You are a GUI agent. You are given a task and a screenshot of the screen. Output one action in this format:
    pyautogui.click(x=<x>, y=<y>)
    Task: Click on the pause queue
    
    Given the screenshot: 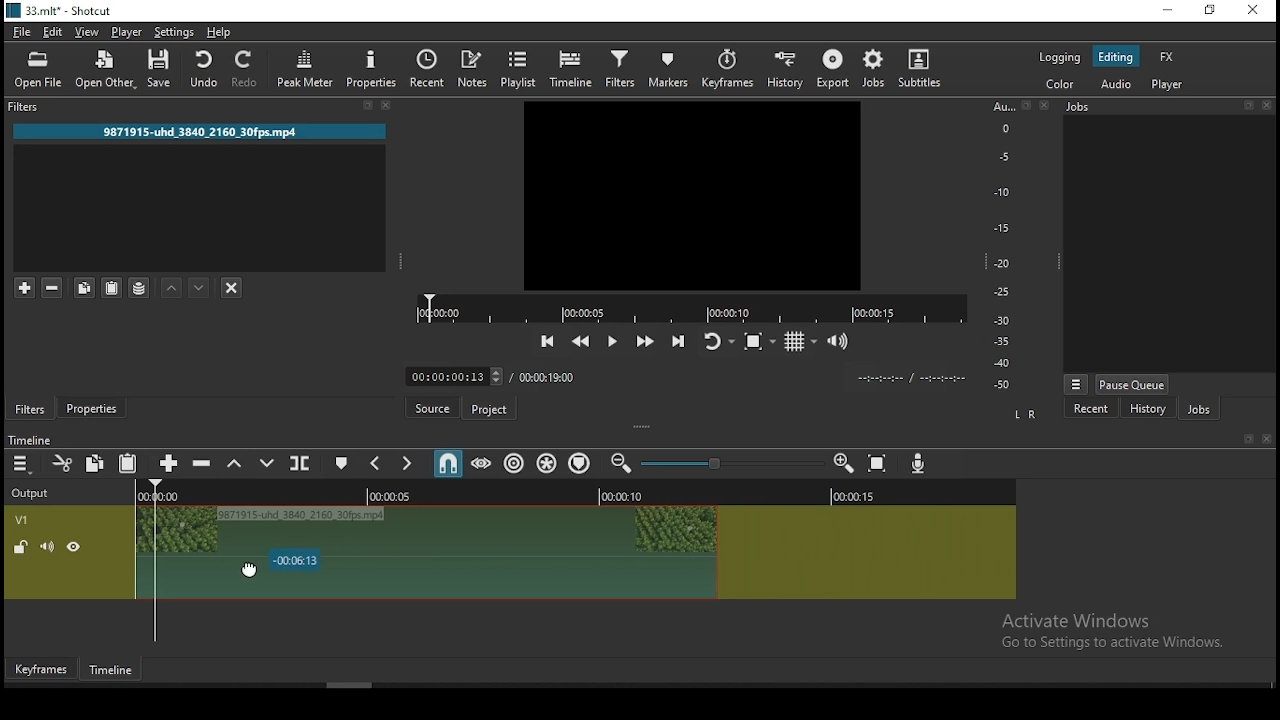 What is the action you would take?
    pyautogui.click(x=1136, y=382)
    